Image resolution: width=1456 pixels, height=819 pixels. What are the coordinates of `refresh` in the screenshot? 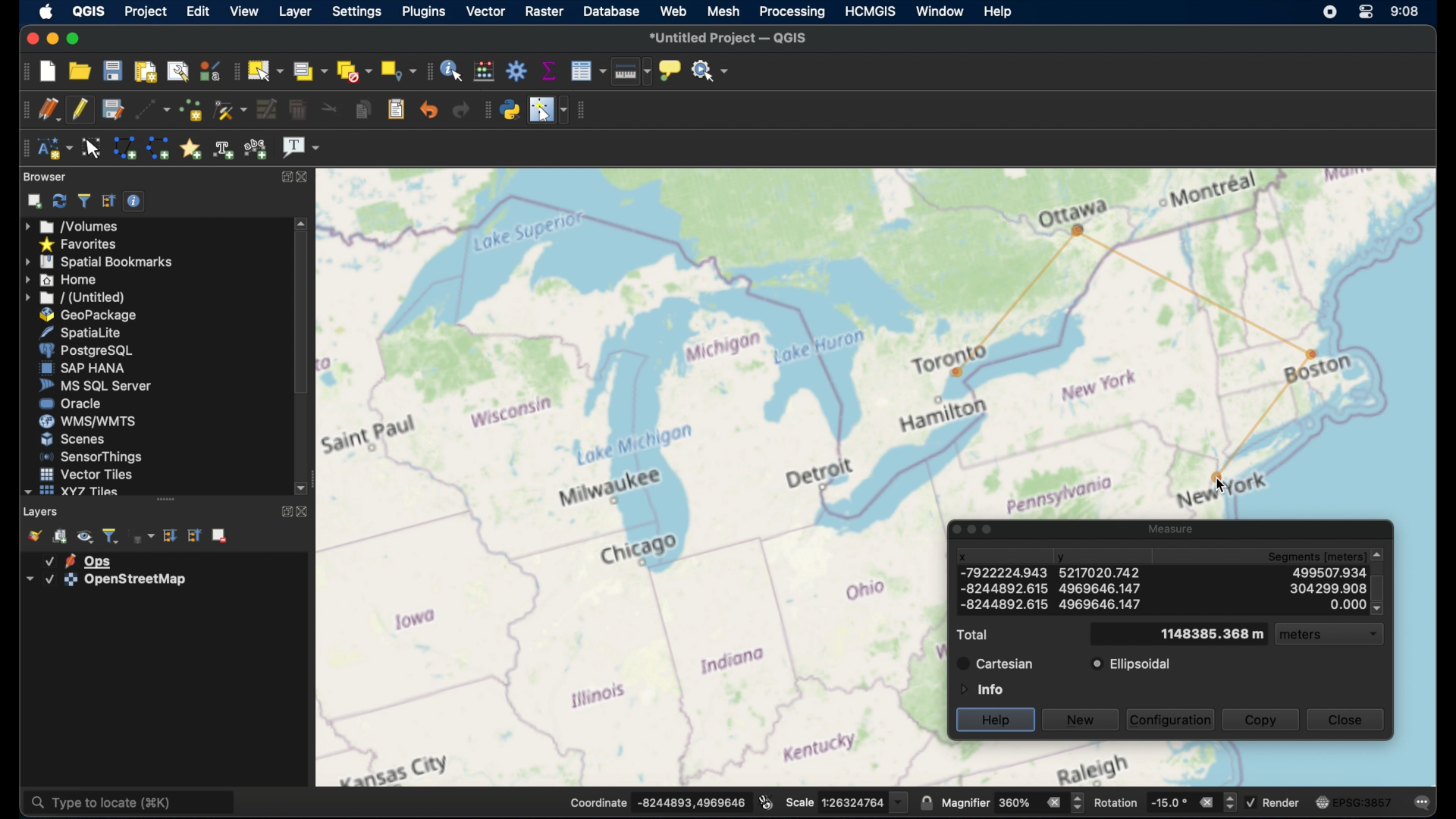 It's located at (58, 201).